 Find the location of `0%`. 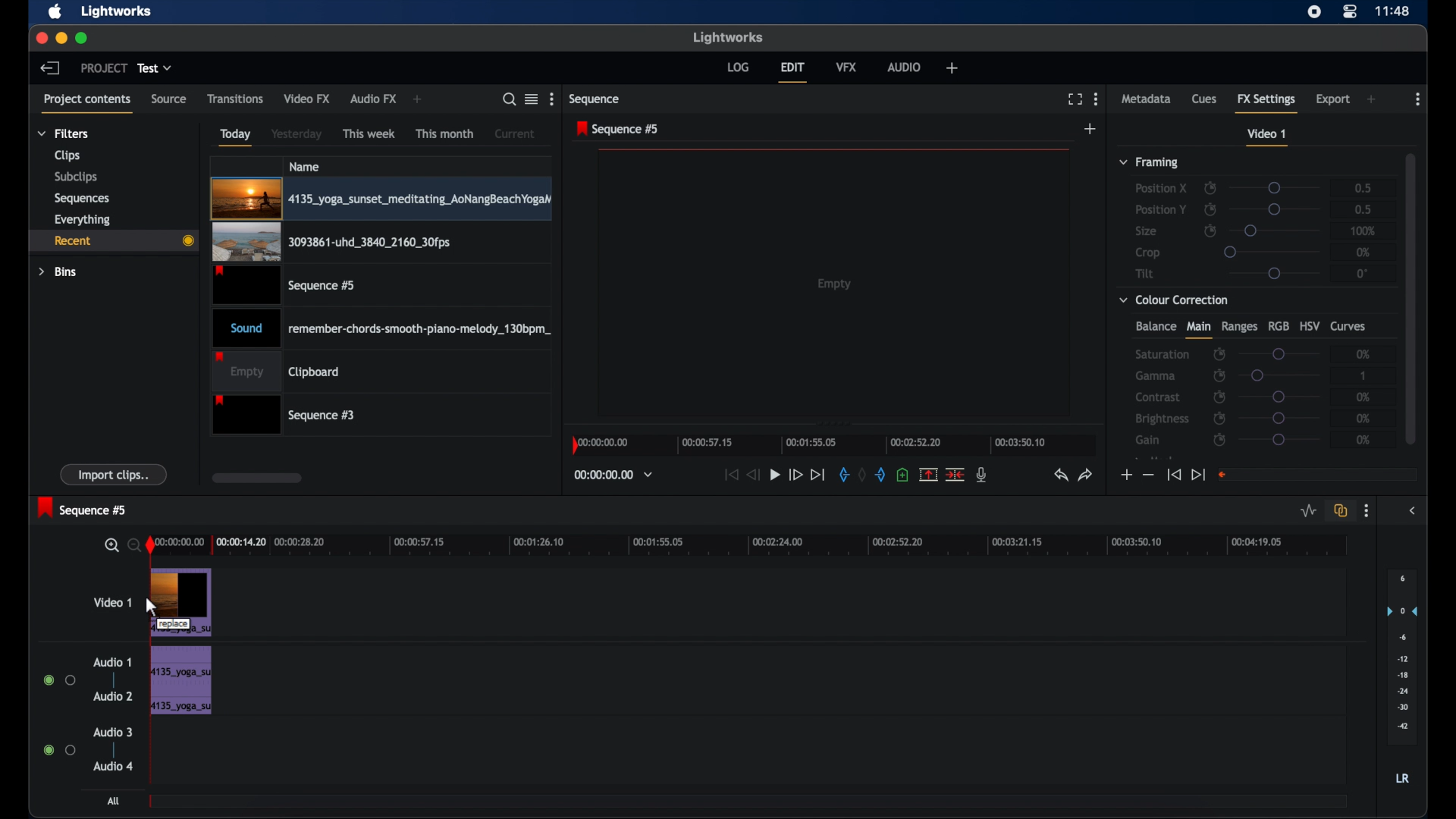

0% is located at coordinates (1361, 355).